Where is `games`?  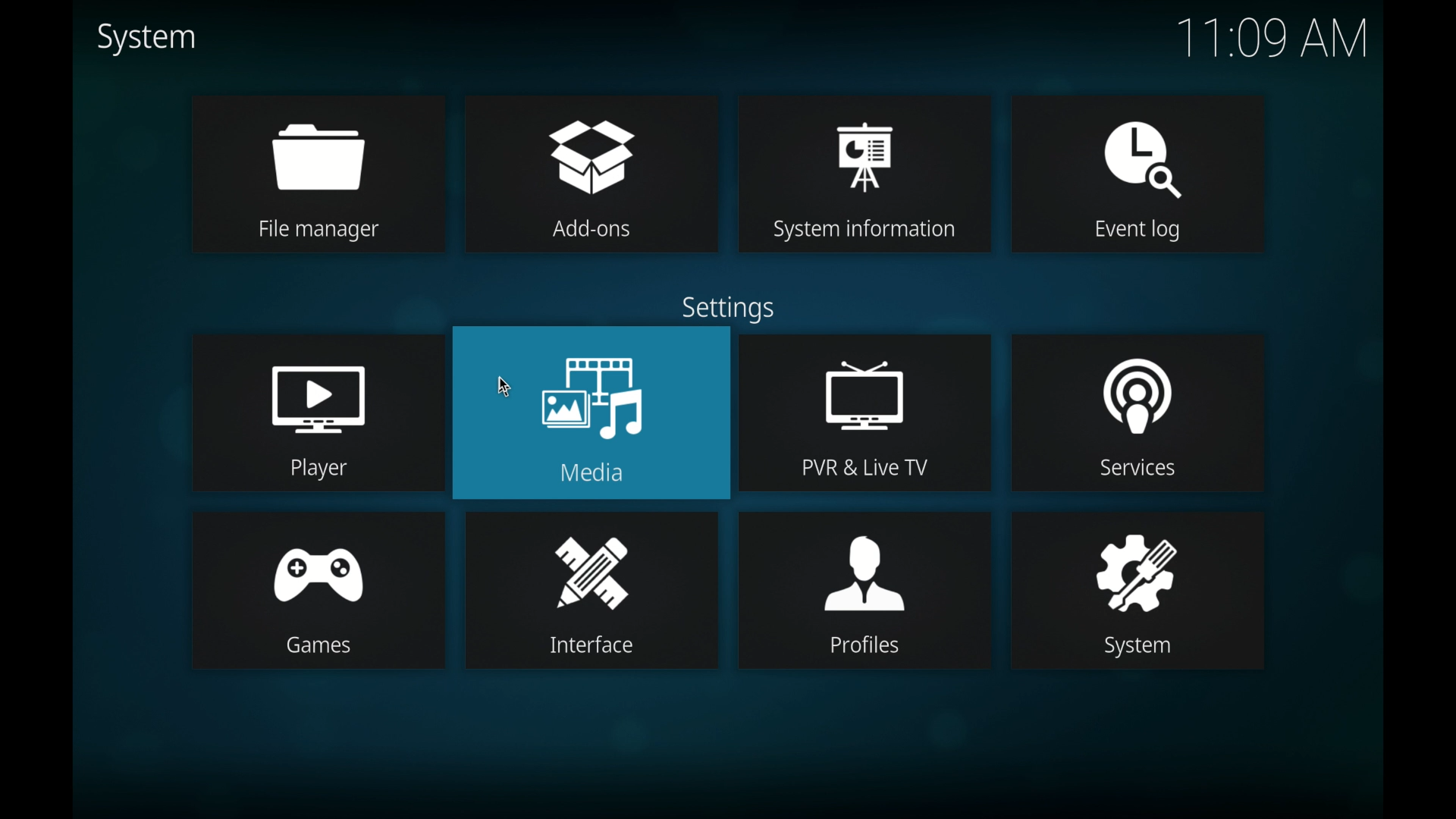 games is located at coordinates (315, 591).